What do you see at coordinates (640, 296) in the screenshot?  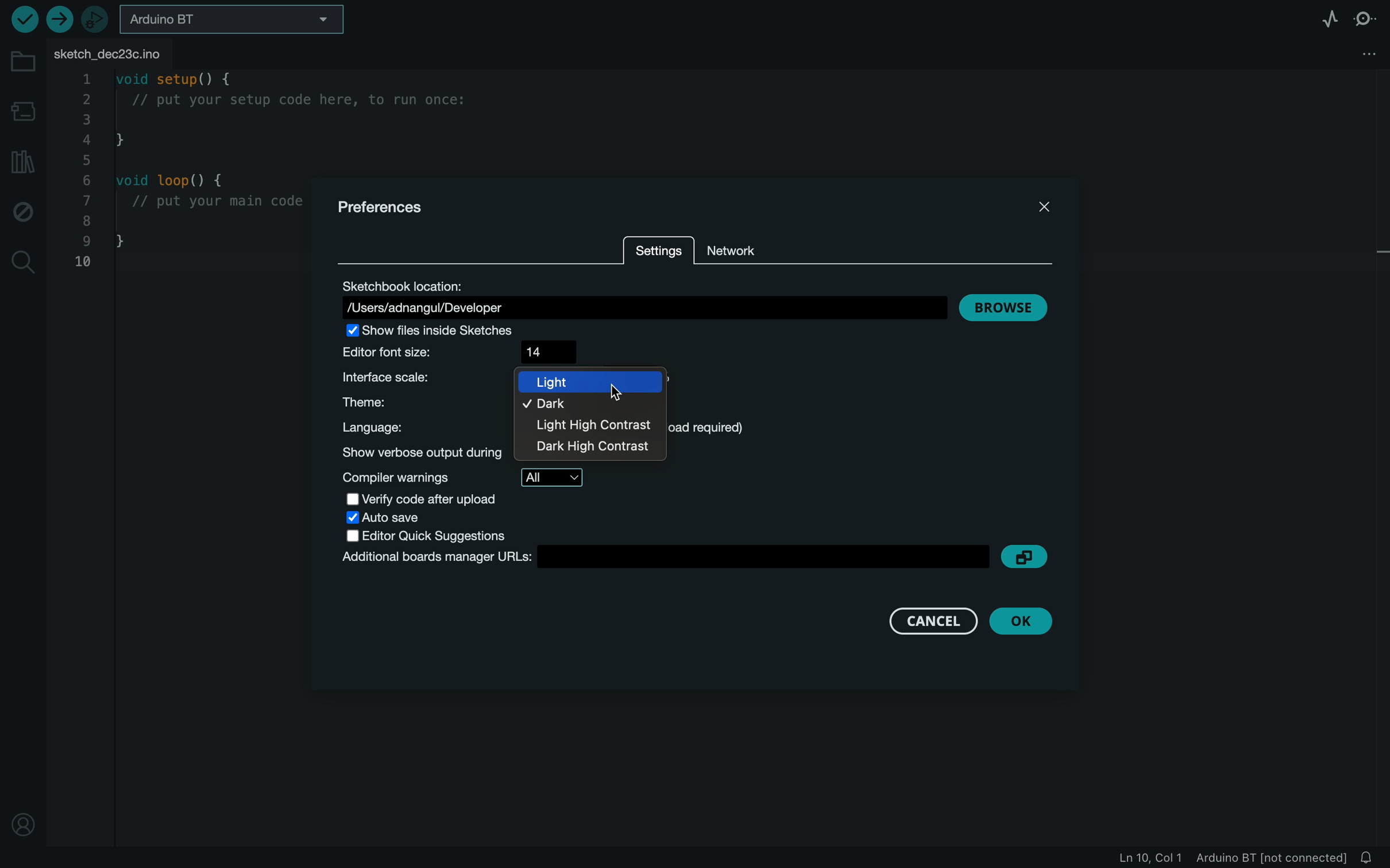 I see `location` at bounding box center [640, 296].